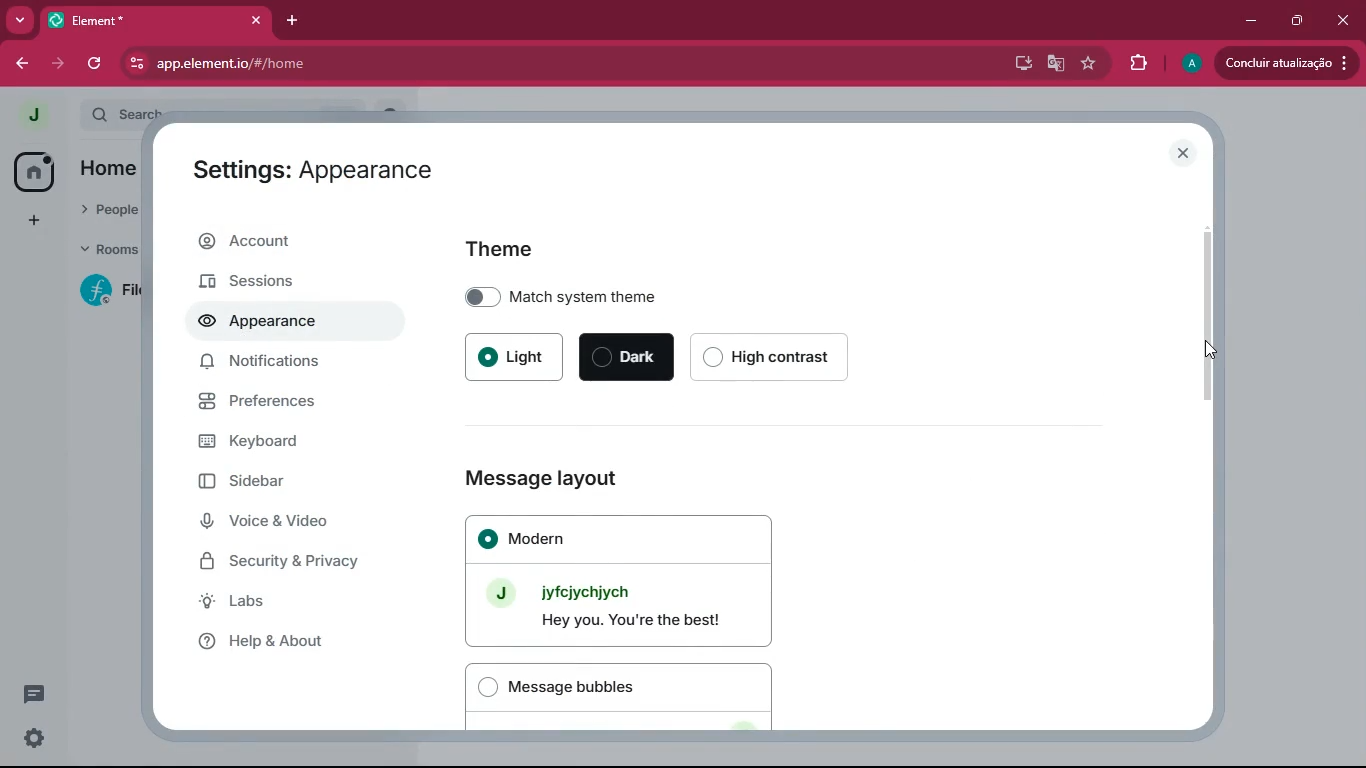 The image size is (1366, 768). I want to click on profile picture, so click(31, 114).